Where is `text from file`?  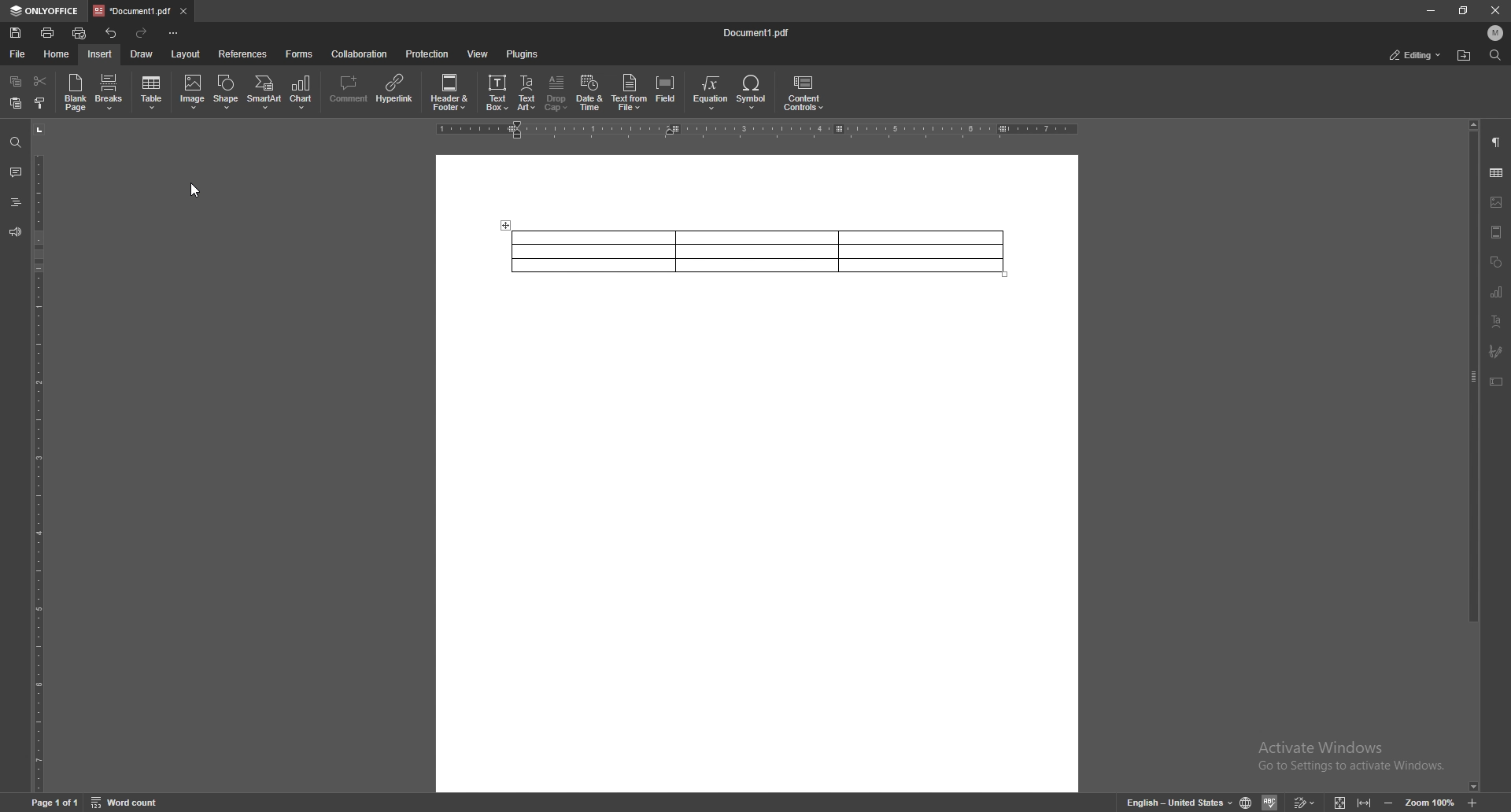
text from file is located at coordinates (630, 94).